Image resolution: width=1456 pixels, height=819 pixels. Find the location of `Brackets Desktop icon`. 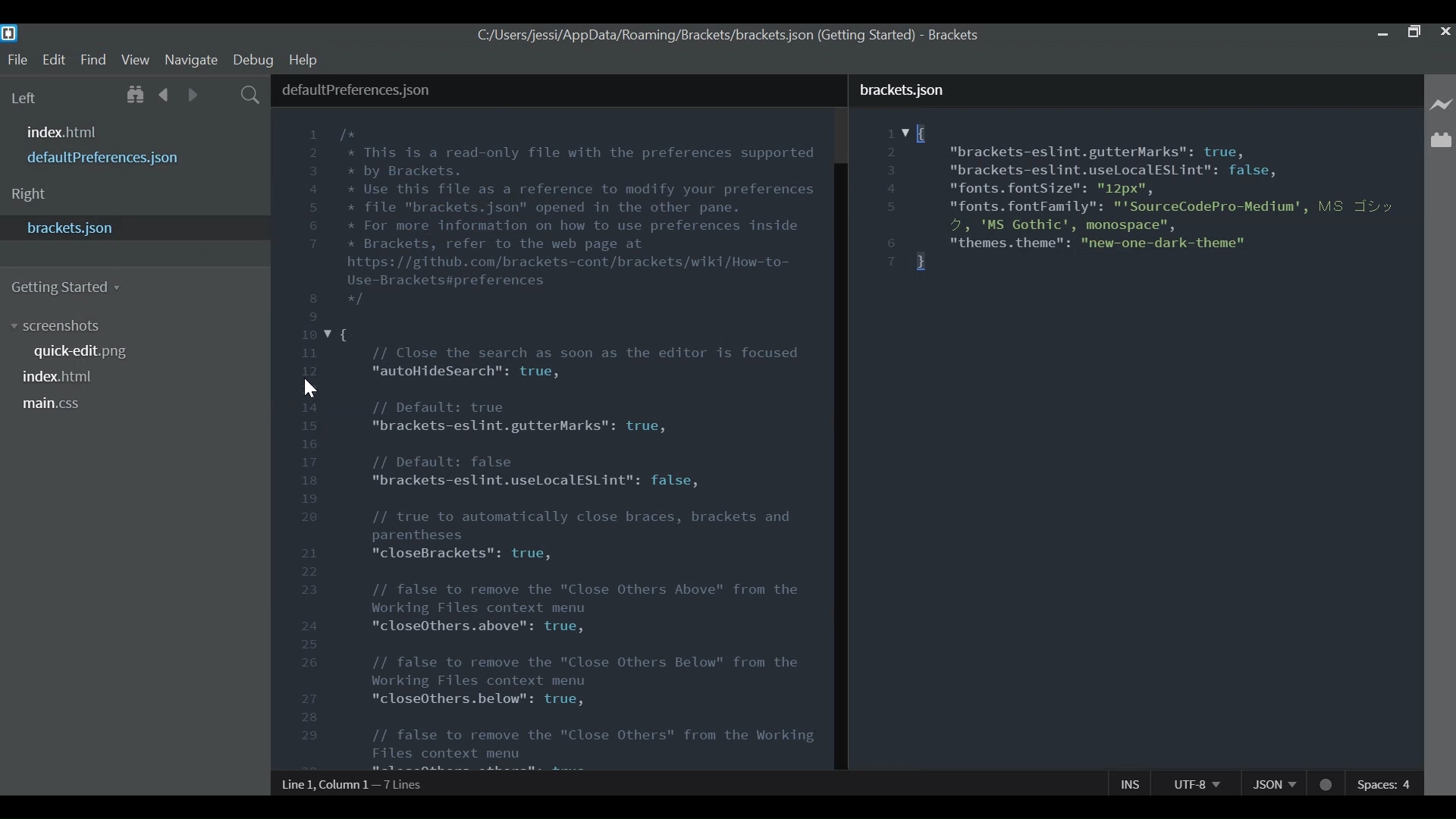

Brackets Desktop icon is located at coordinates (9, 33).